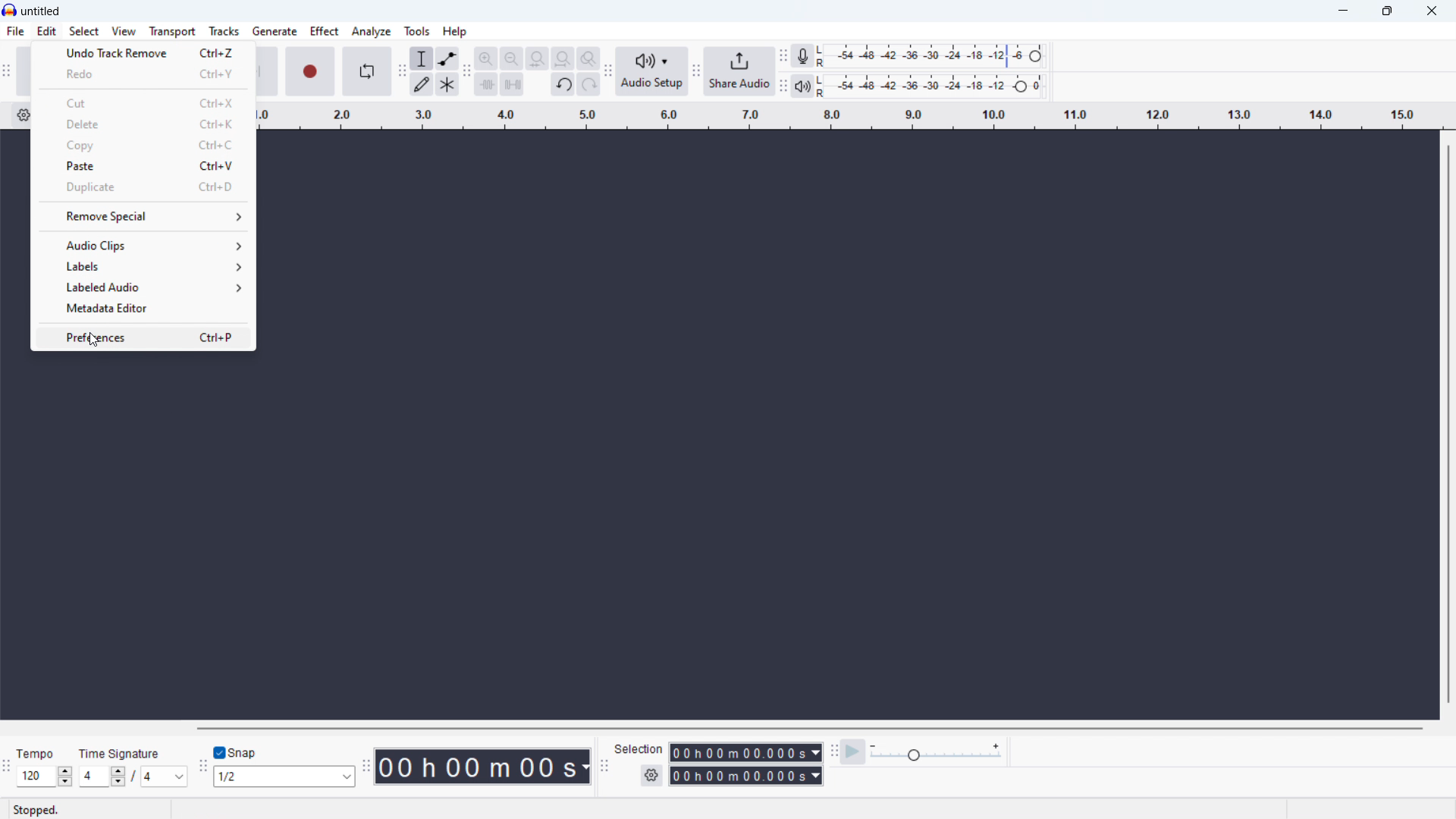  I want to click on transport, so click(173, 32).